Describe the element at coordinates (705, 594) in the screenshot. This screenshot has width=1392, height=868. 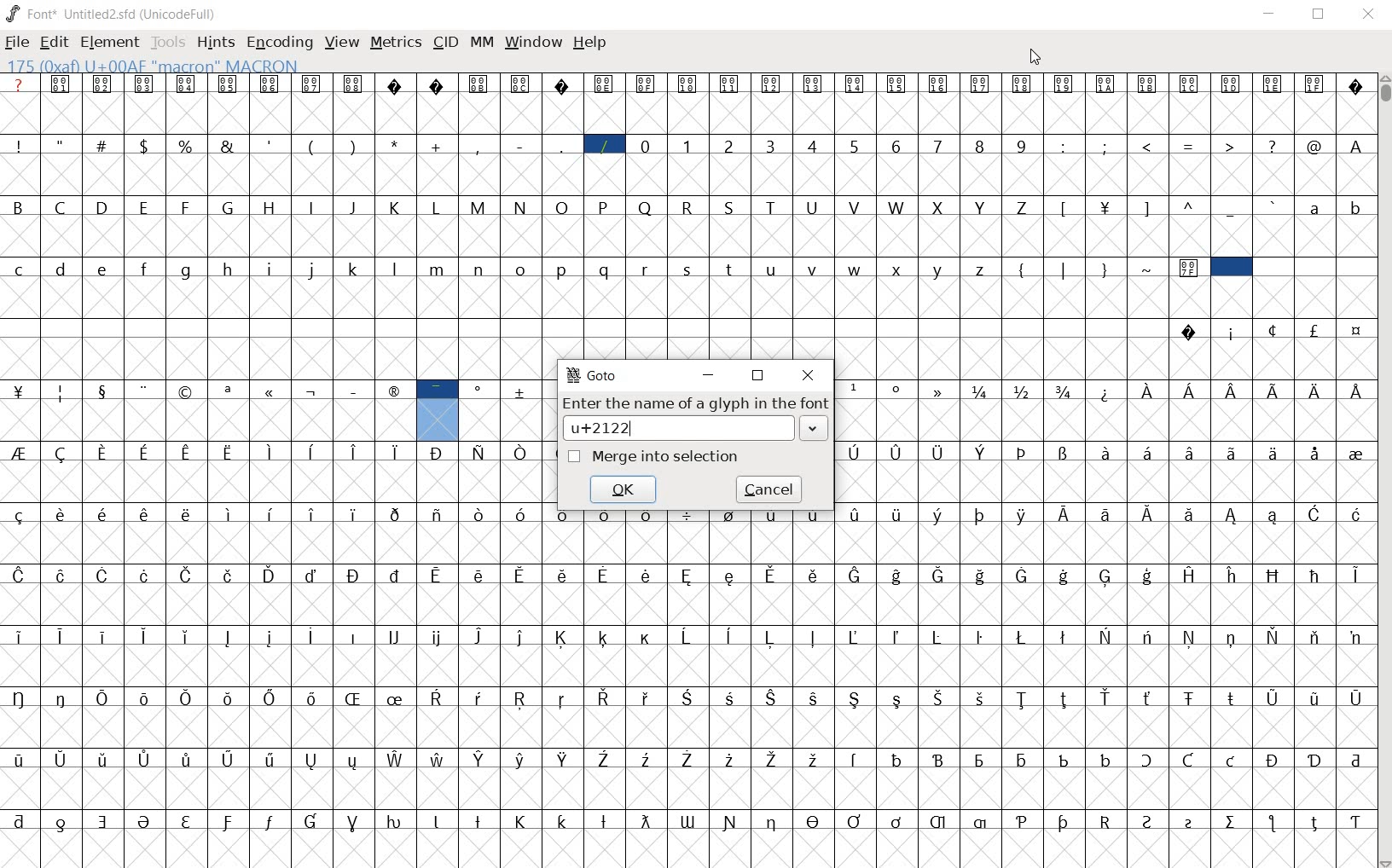
I see `accented characters` at that location.